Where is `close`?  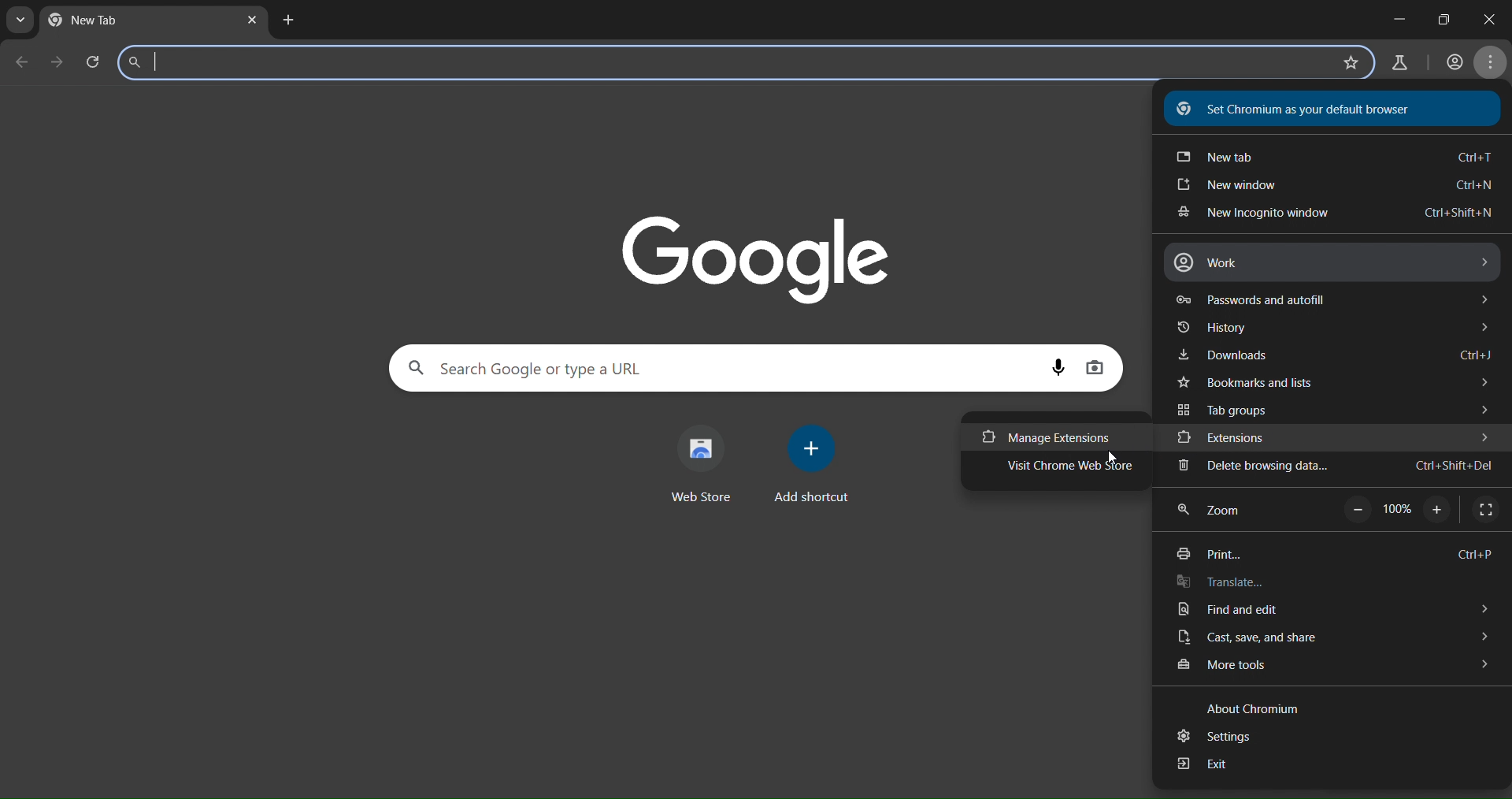
close is located at coordinates (1484, 20).